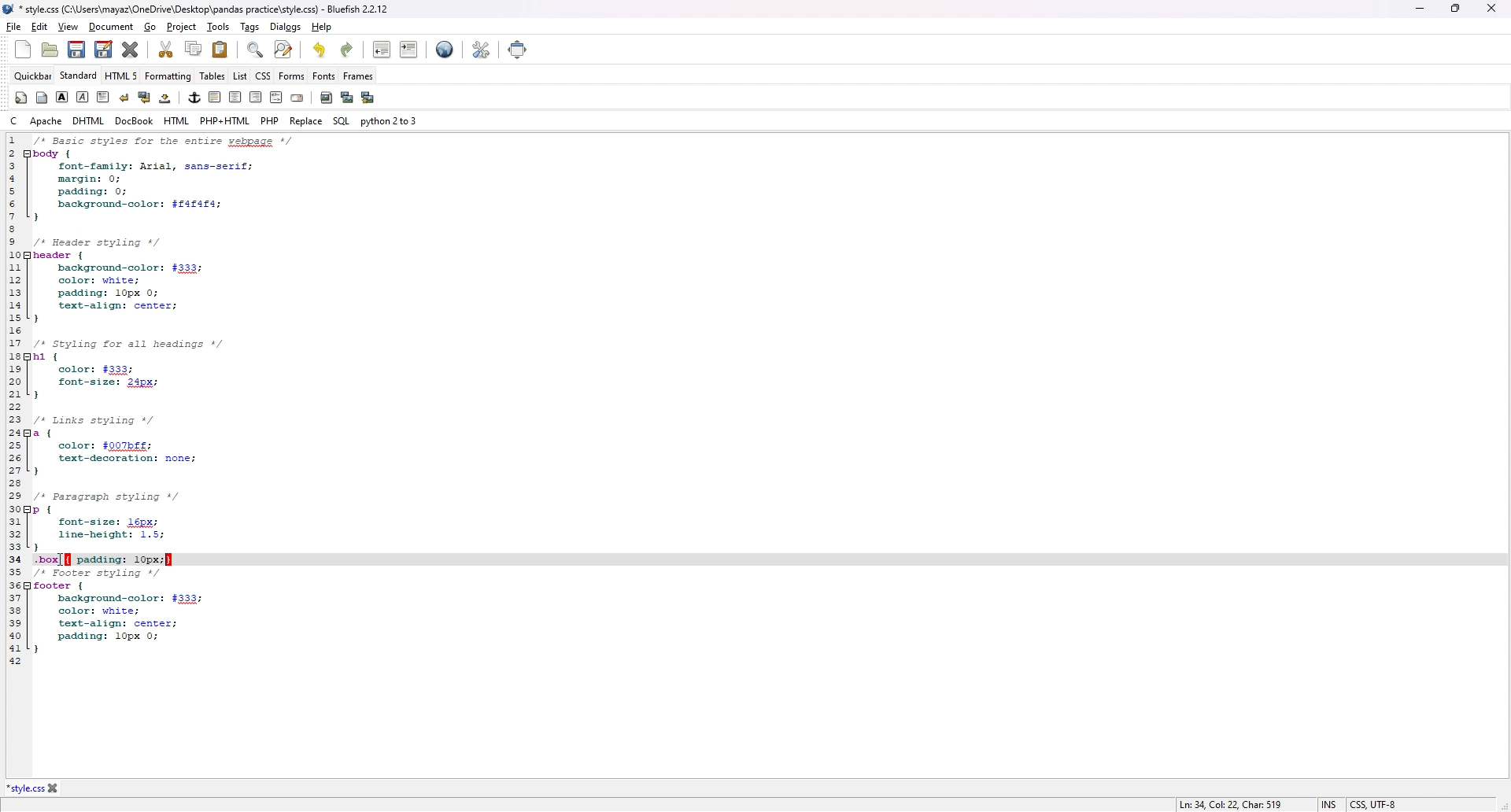 Image resolution: width=1511 pixels, height=812 pixels. I want to click on undo, so click(317, 50).